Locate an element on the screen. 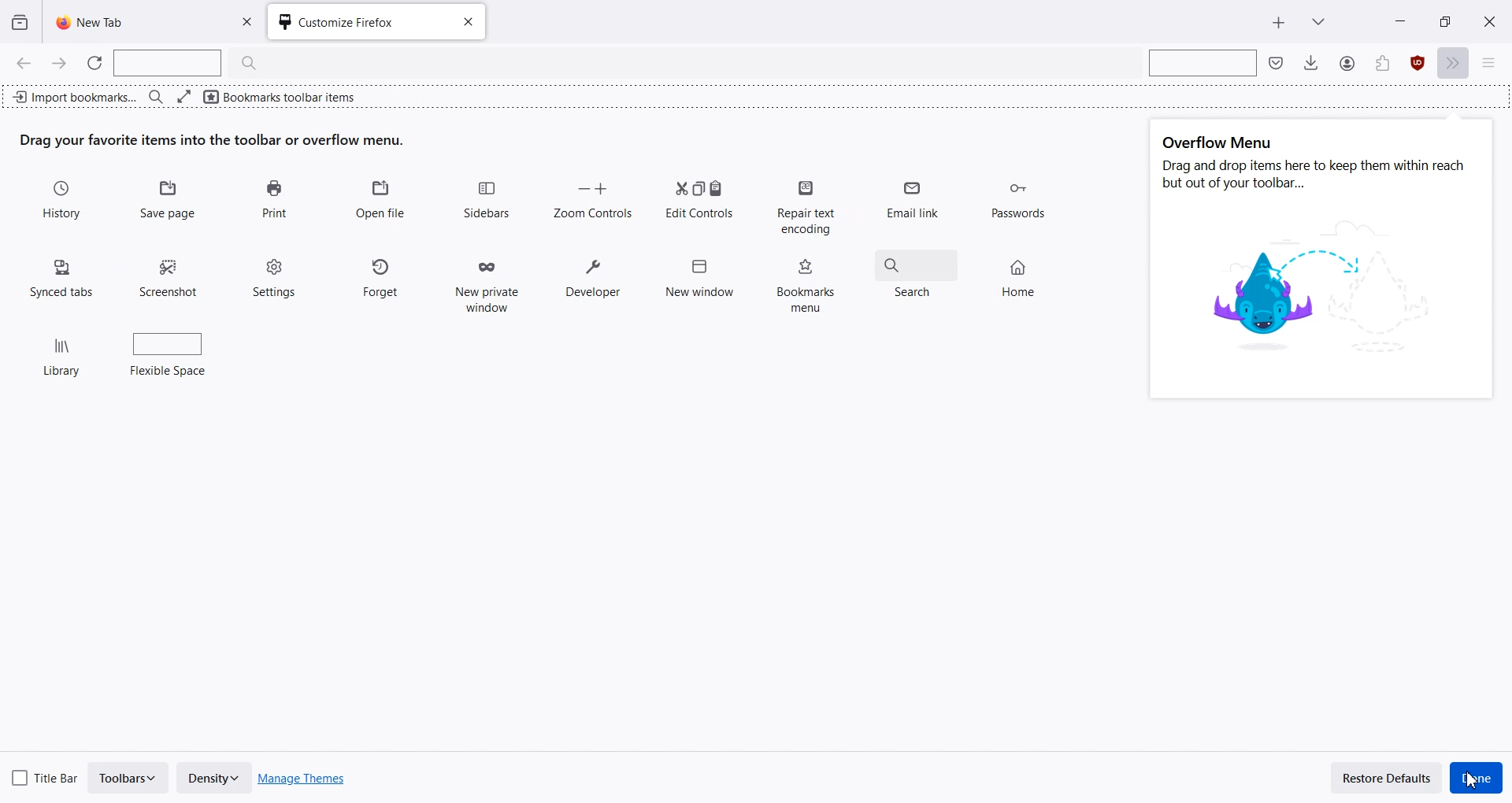 This screenshot has width=1512, height=803. Extensions is located at coordinates (1418, 64).